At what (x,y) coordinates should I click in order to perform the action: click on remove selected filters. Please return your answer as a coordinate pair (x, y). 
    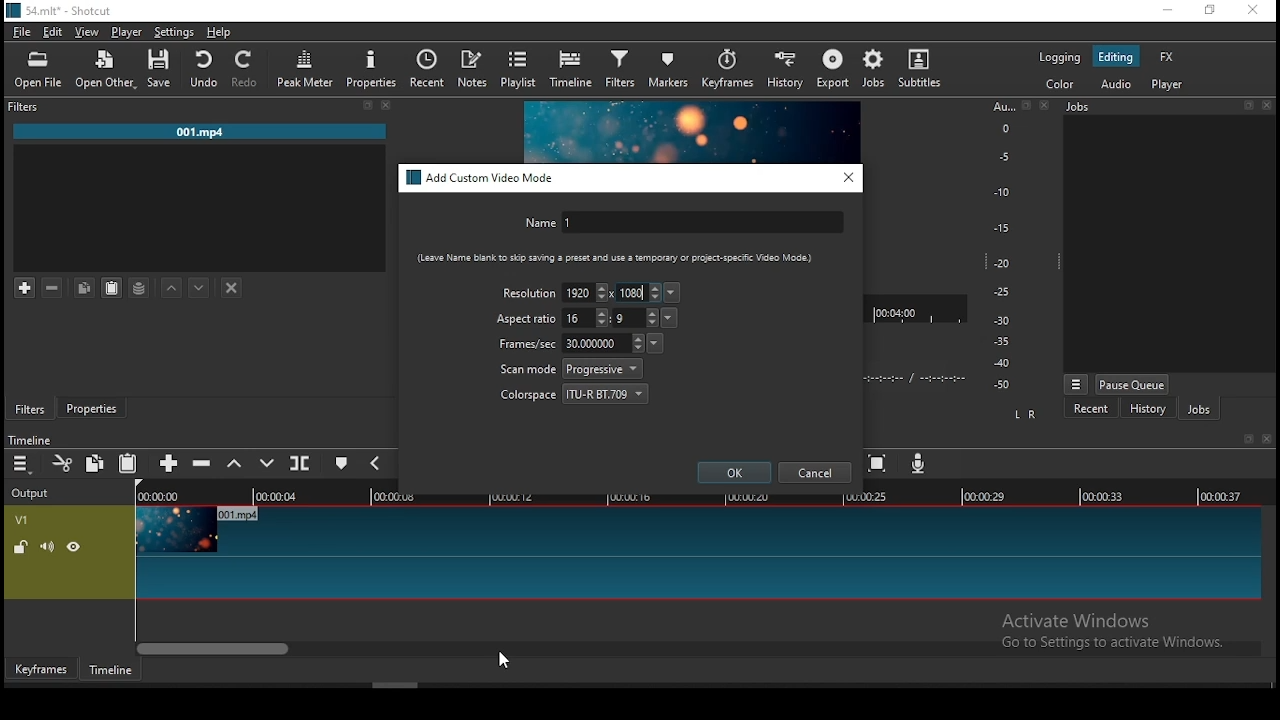
    Looking at the image, I should click on (53, 288).